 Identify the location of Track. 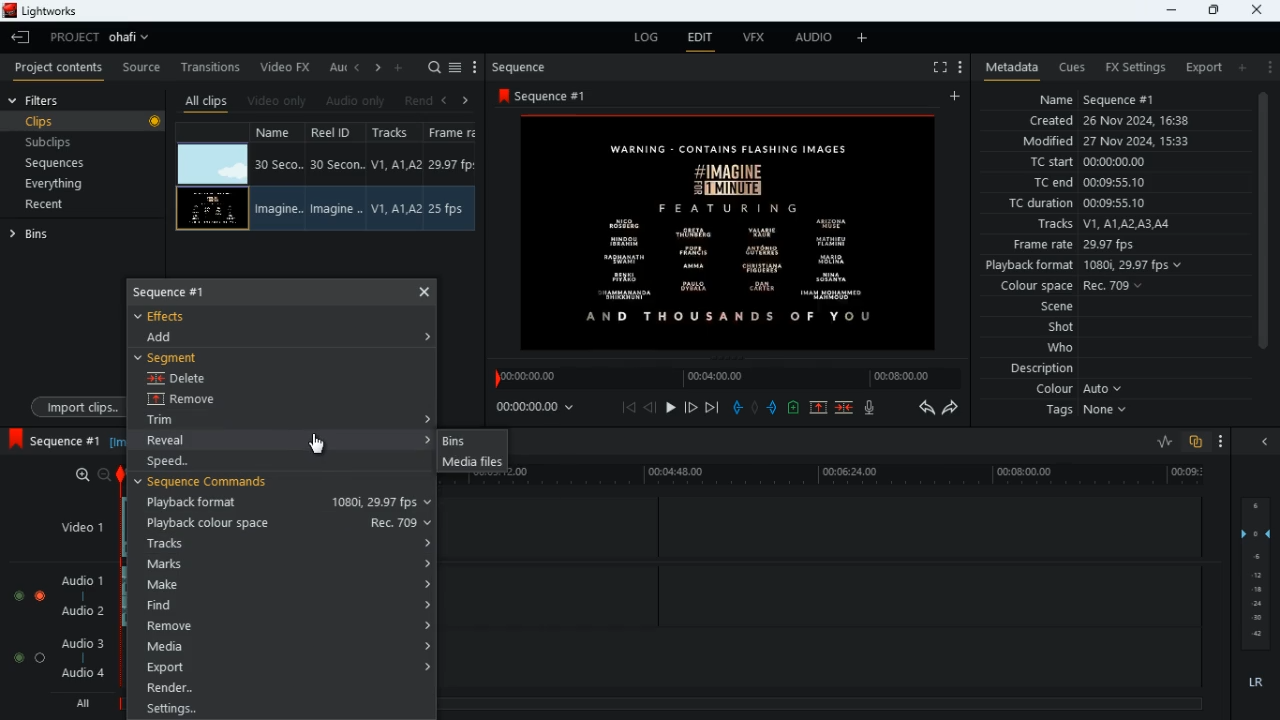
(398, 164).